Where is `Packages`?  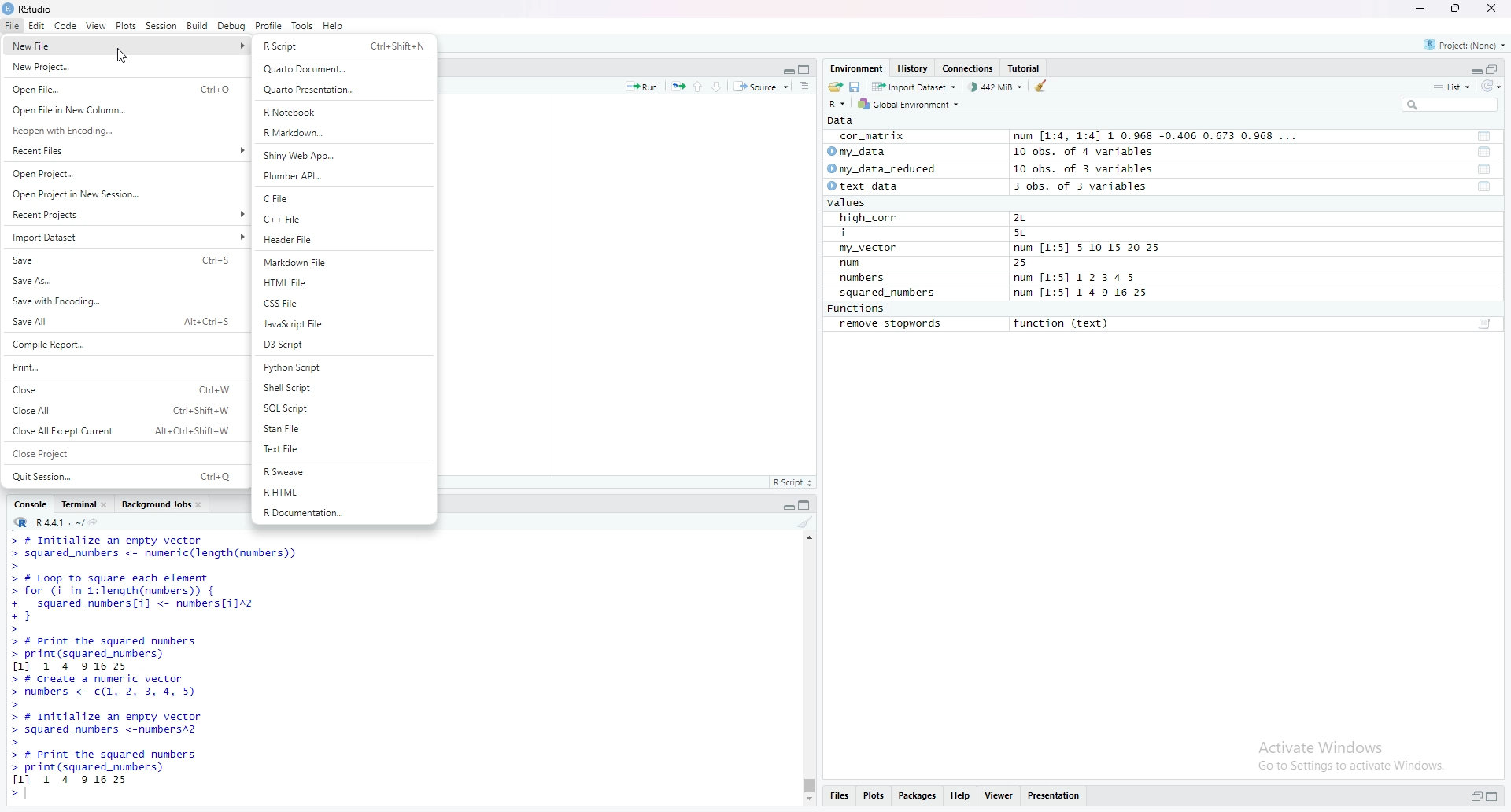 Packages is located at coordinates (920, 796).